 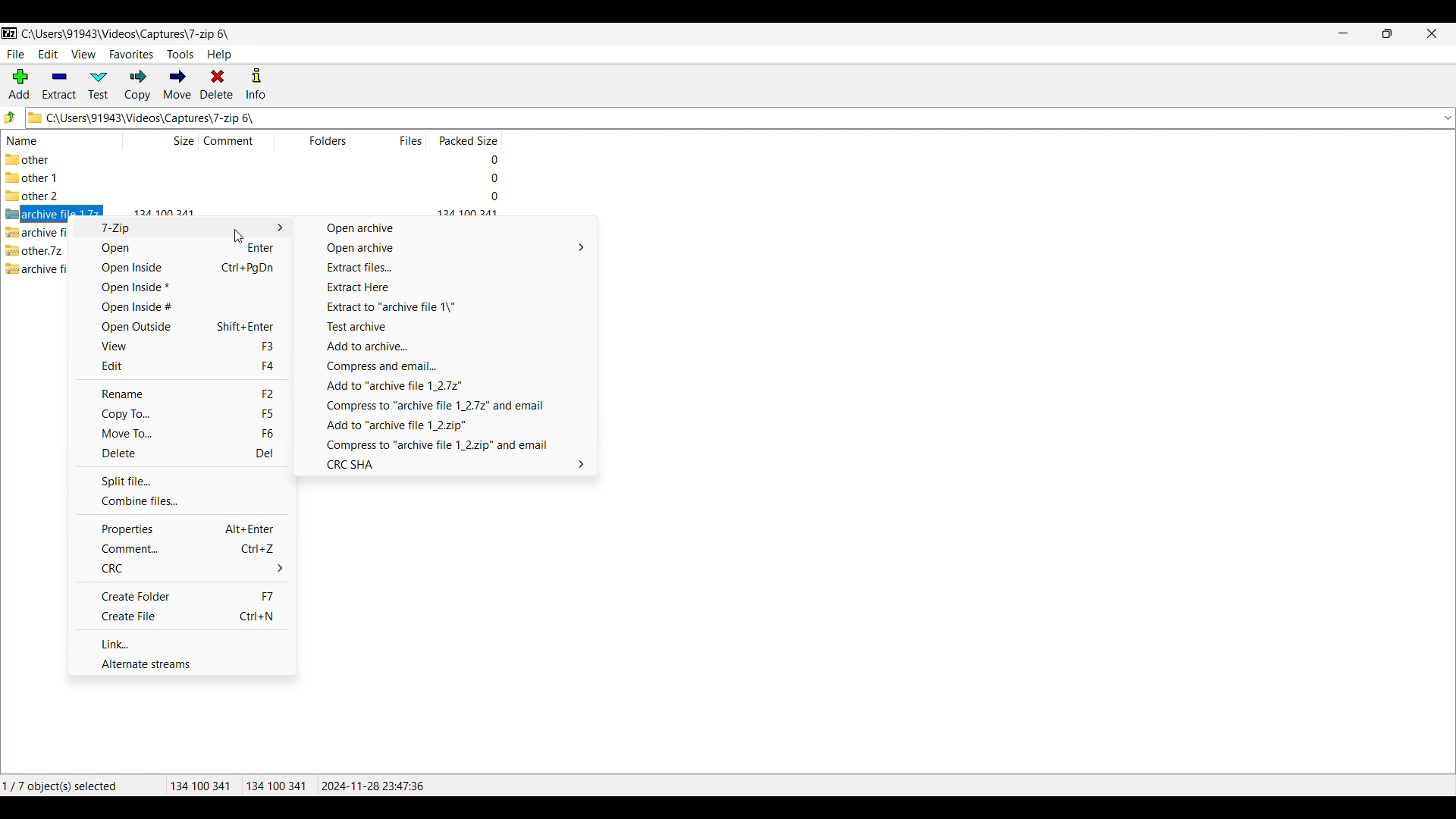 What do you see at coordinates (180, 268) in the screenshot?
I see `Open inside` at bounding box center [180, 268].